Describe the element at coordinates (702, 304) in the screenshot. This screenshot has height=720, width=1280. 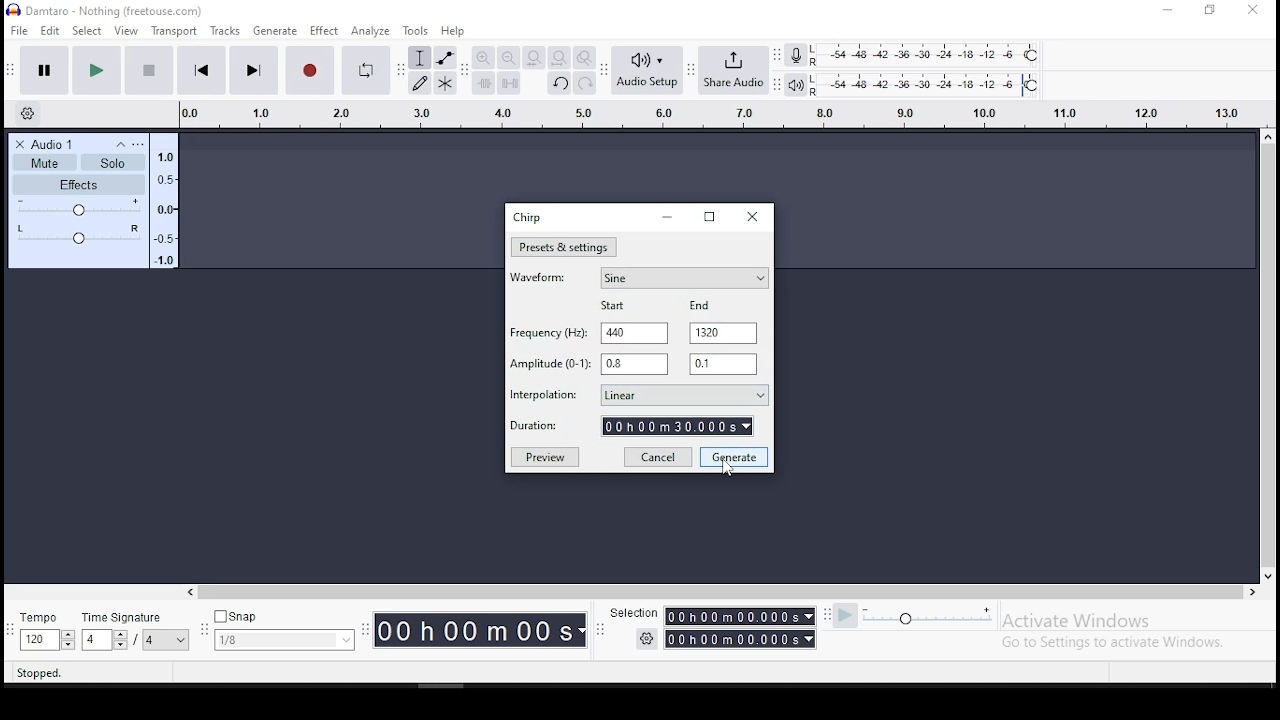
I see `end` at that location.